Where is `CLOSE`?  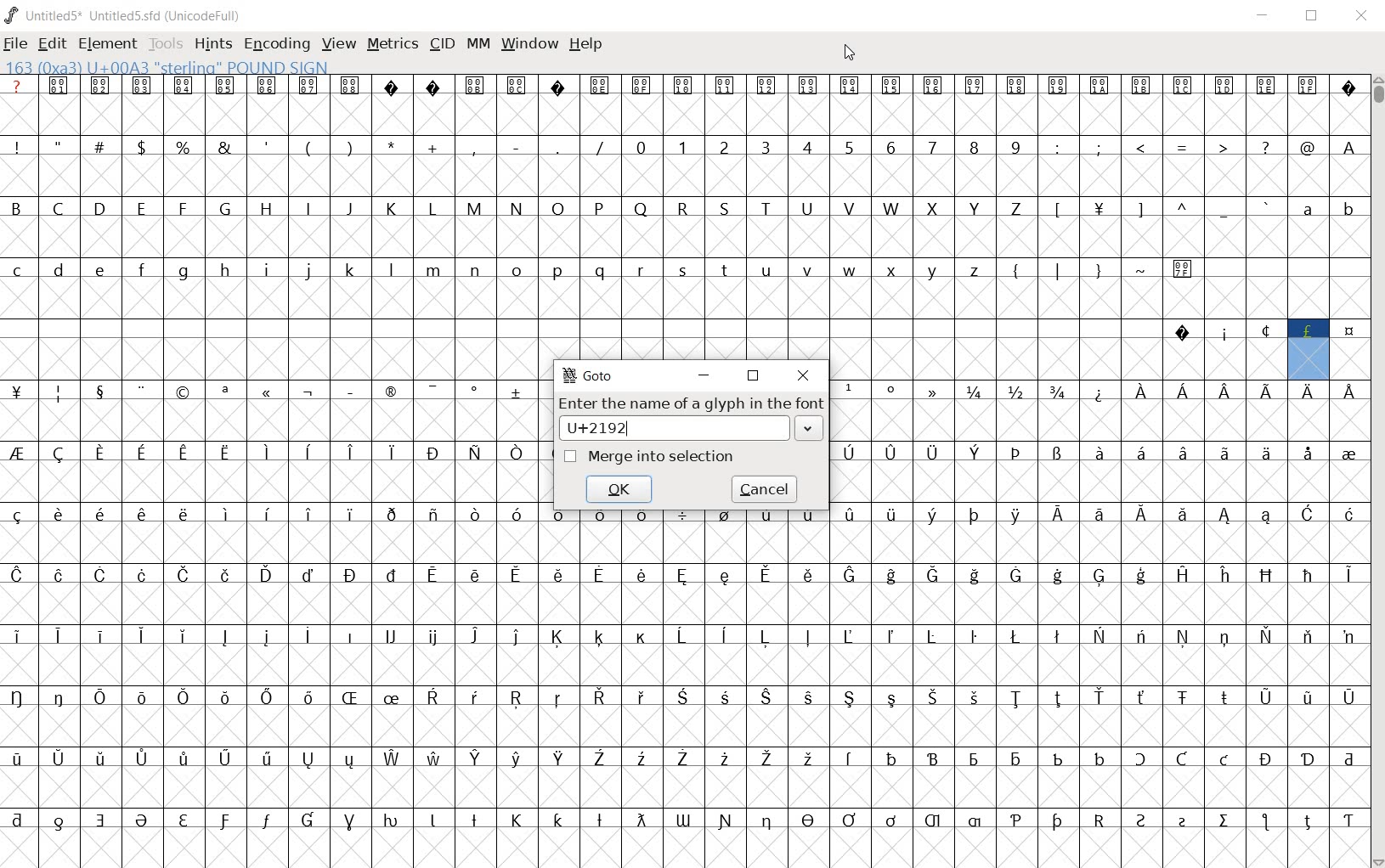 CLOSE is located at coordinates (1361, 18).